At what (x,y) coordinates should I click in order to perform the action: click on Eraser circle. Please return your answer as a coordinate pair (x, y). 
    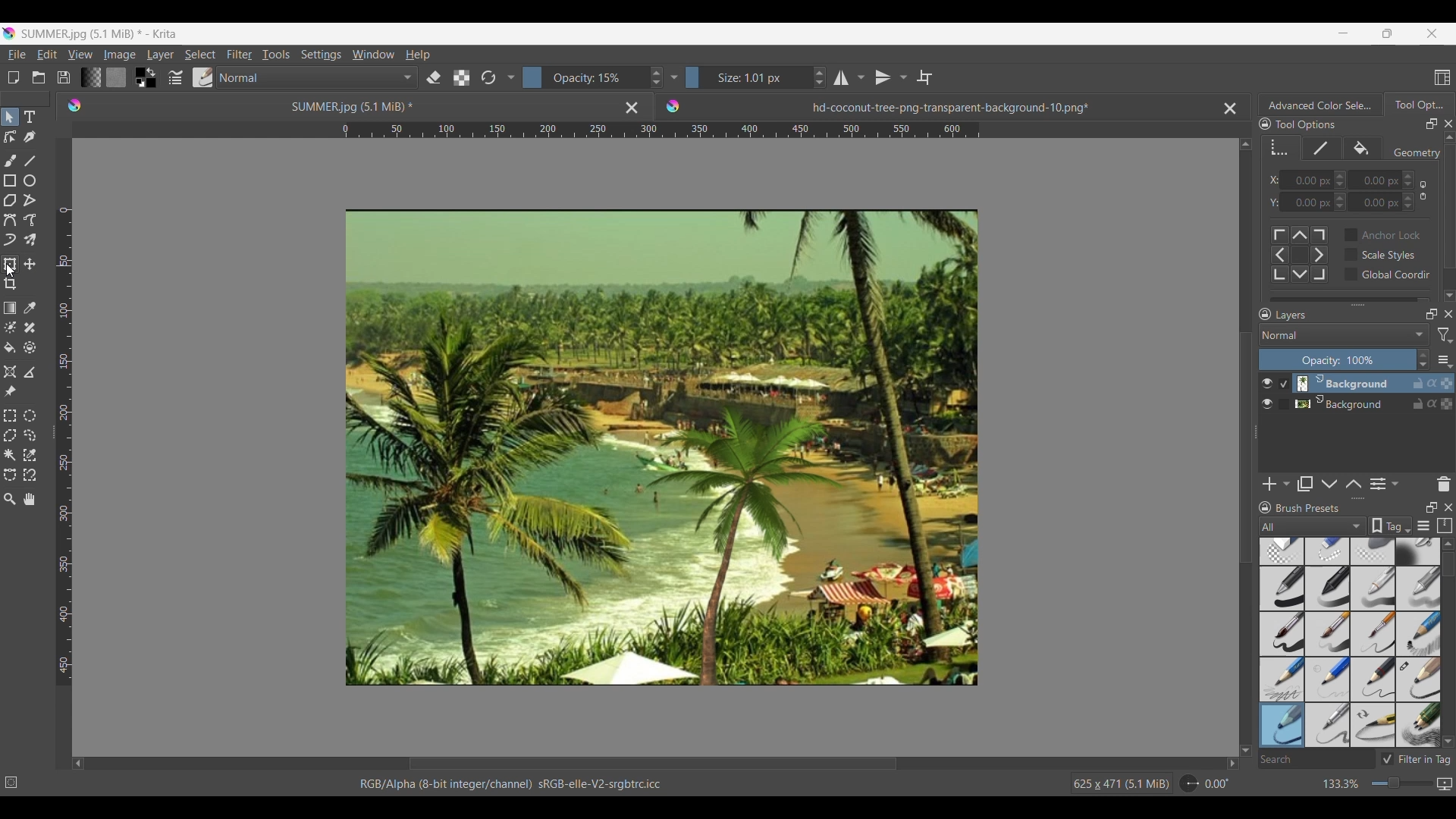
    Looking at the image, I should click on (1281, 551).